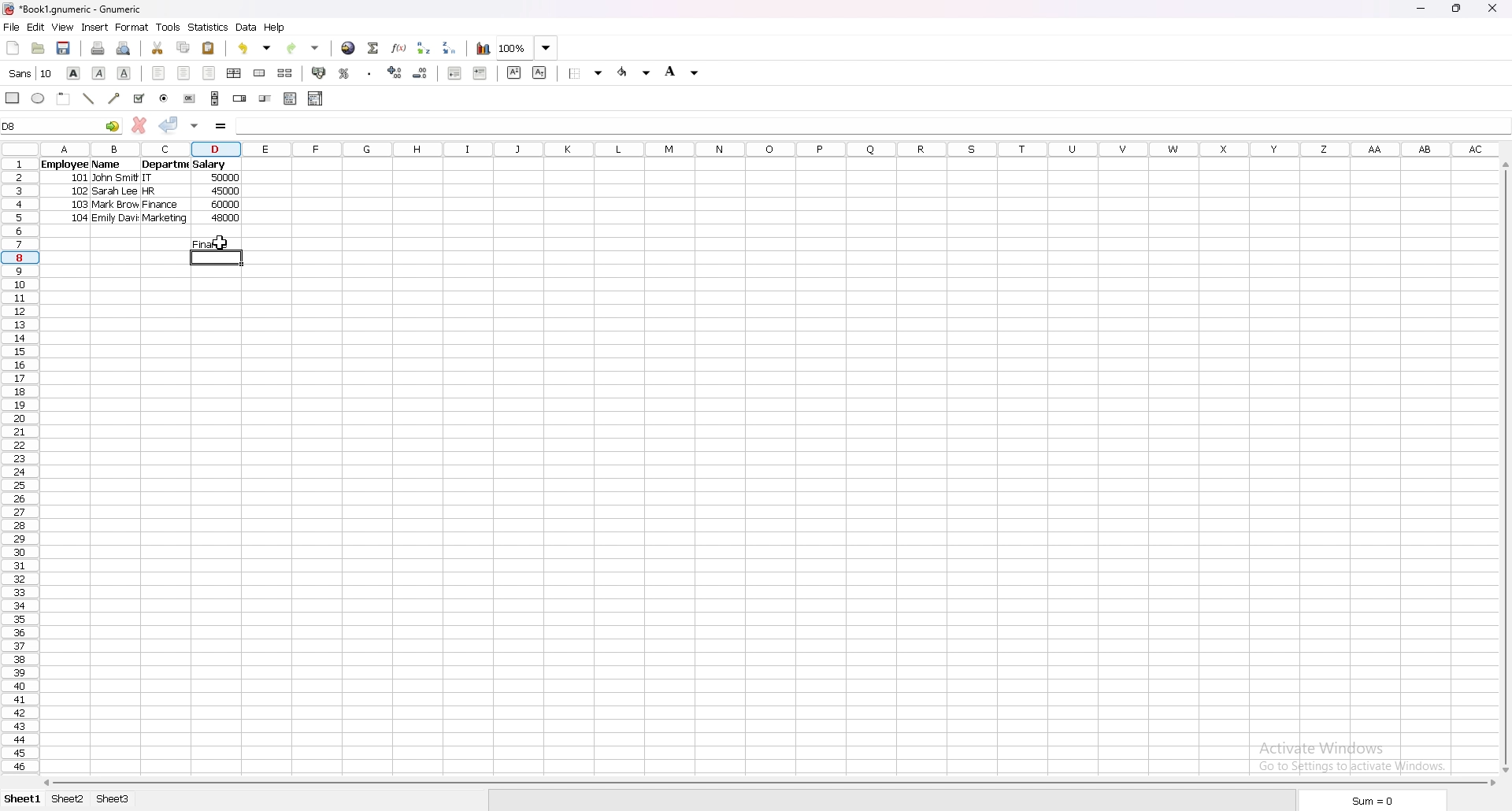  I want to click on cell input, so click(871, 126).